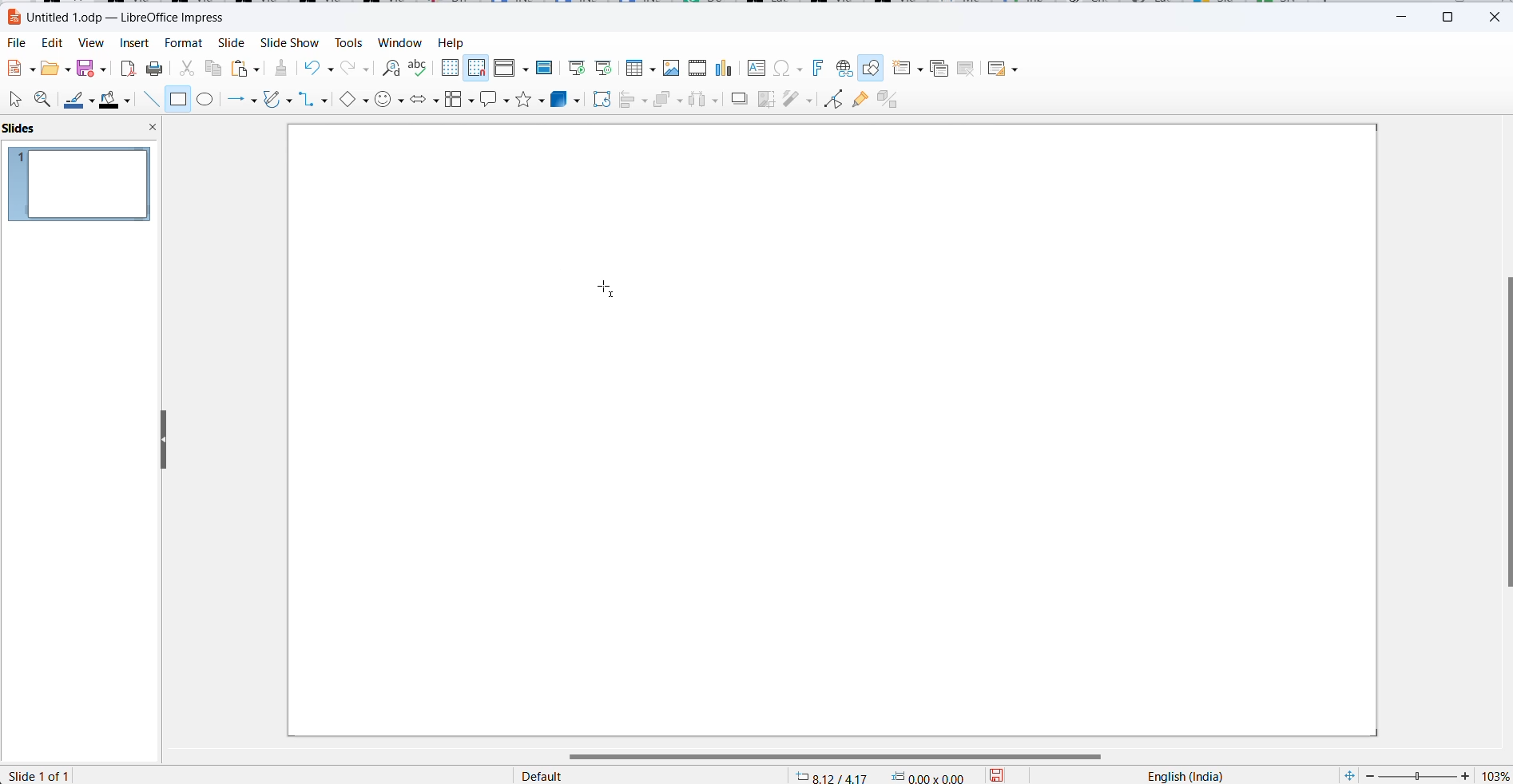  Describe the element at coordinates (215, 69) in the screenshot. I see `copy` at that location.